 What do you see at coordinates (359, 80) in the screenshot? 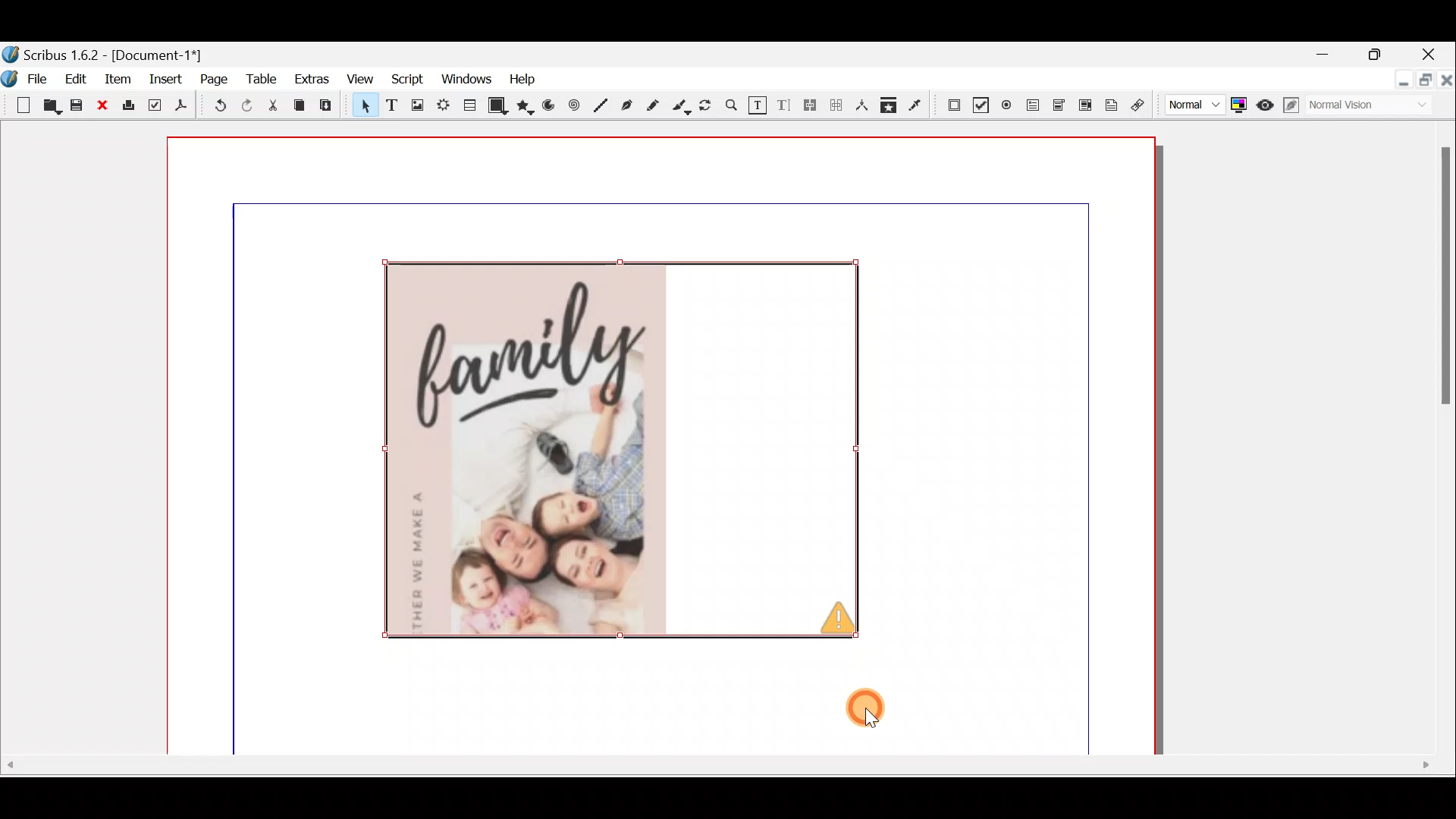
I see `View` at bounding box center [359, 80].